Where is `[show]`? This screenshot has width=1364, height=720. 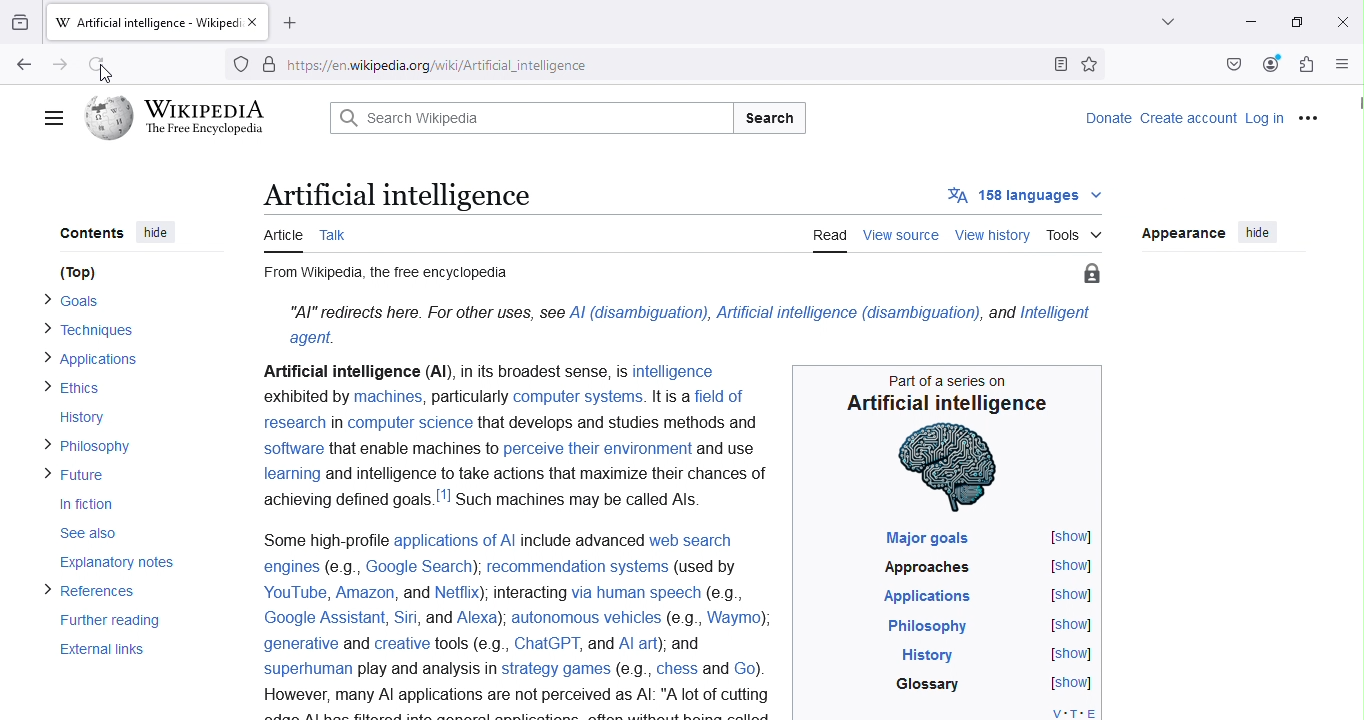 [show] is located at coordinates (1066, 657).